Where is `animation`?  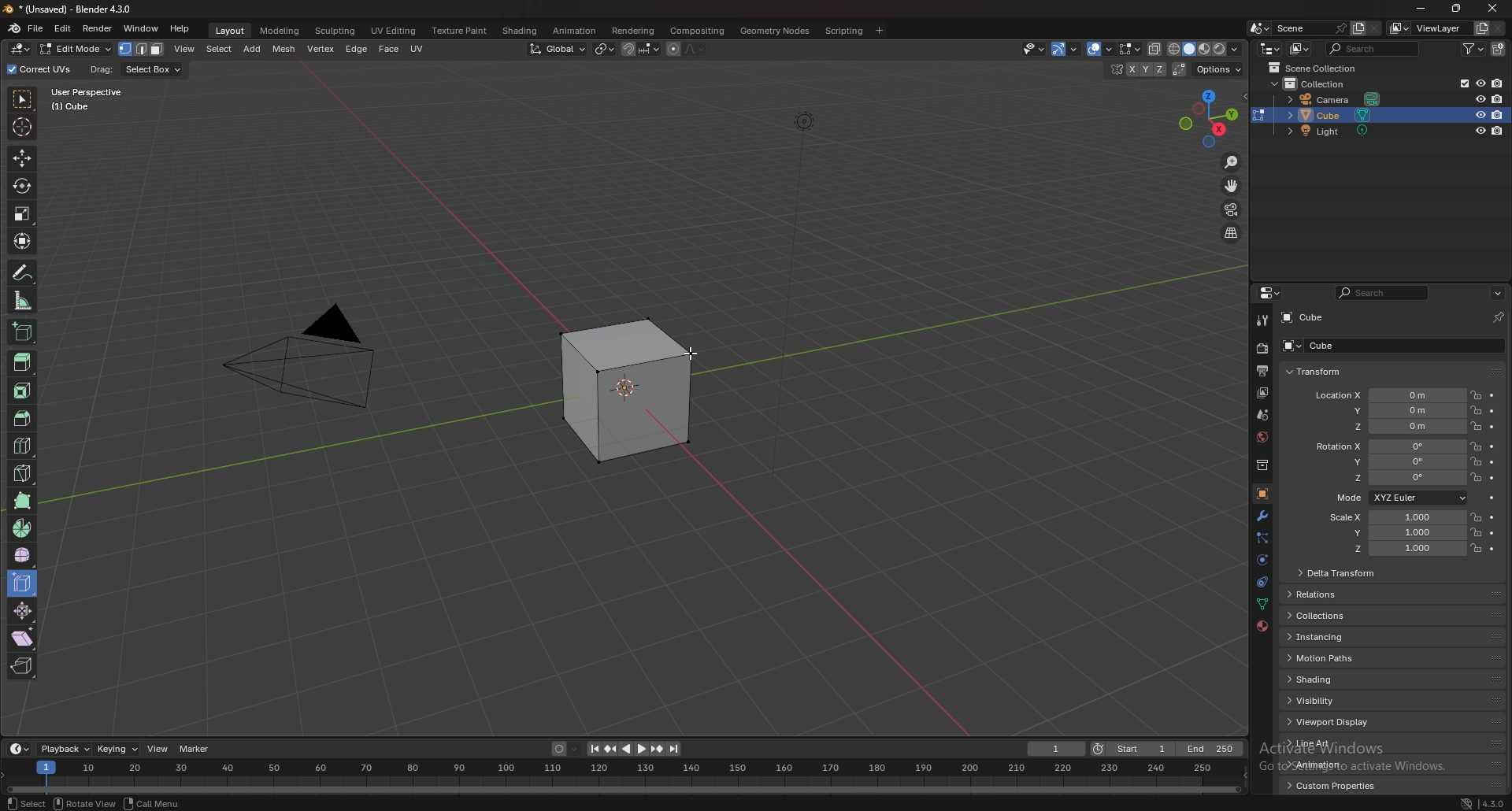 animation is located at coordinates (576, 30).